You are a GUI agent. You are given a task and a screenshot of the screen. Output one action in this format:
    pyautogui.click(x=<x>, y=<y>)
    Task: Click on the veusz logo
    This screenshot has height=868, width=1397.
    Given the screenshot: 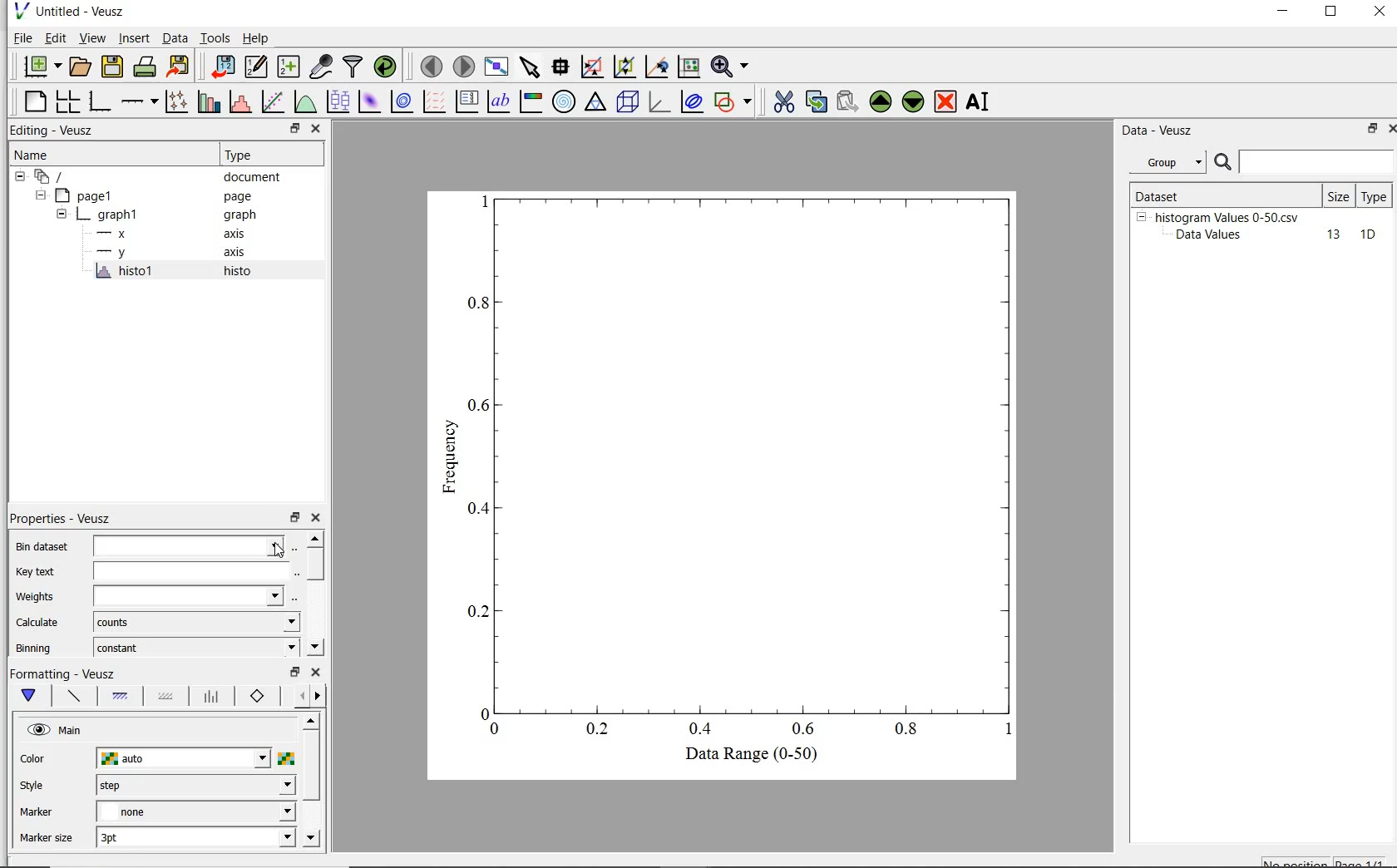 What is the action you would take?
    pyautogui.click(x=20, y=11)
    